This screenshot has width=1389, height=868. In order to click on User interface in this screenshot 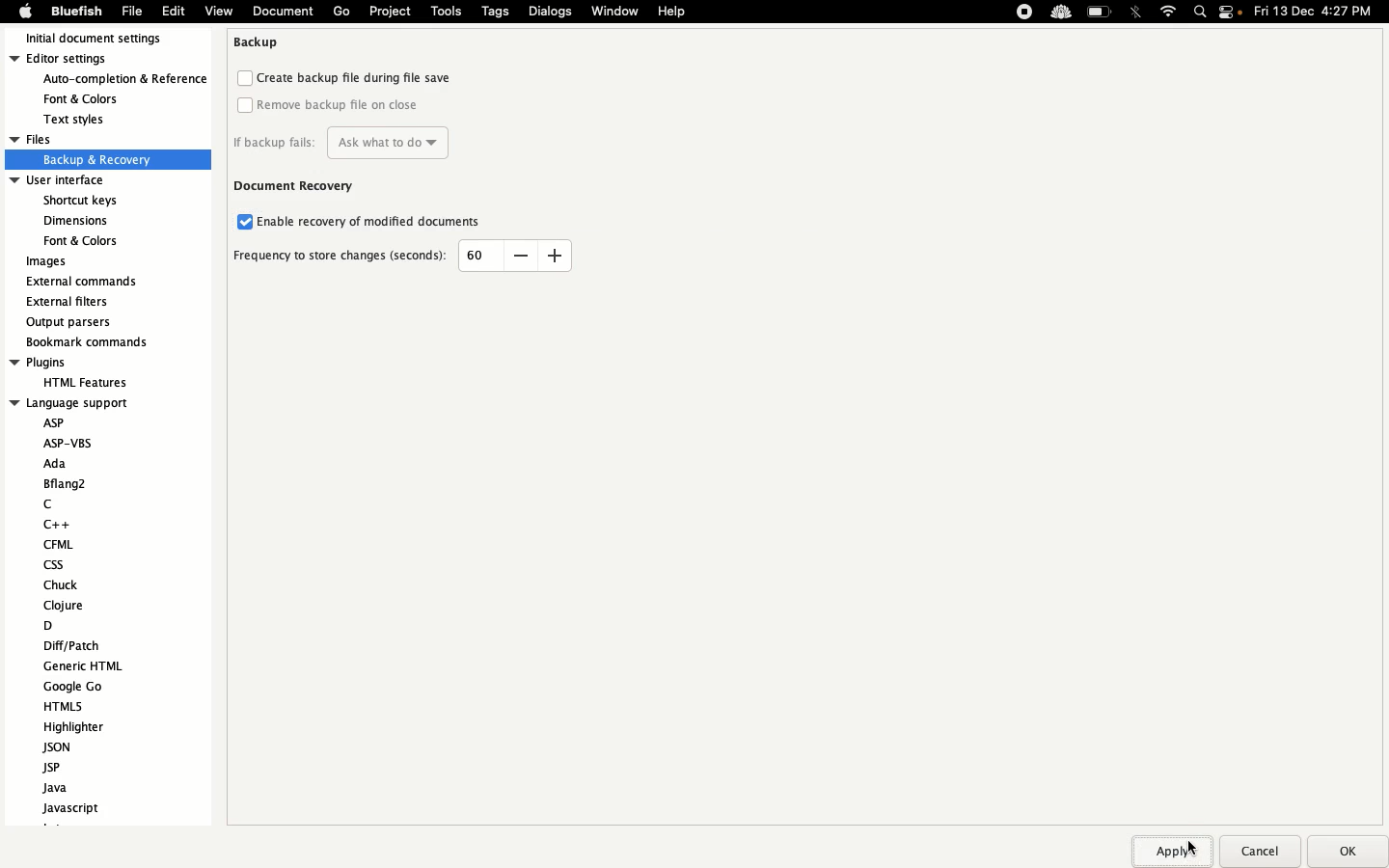, I will do `click(80, 211)`.